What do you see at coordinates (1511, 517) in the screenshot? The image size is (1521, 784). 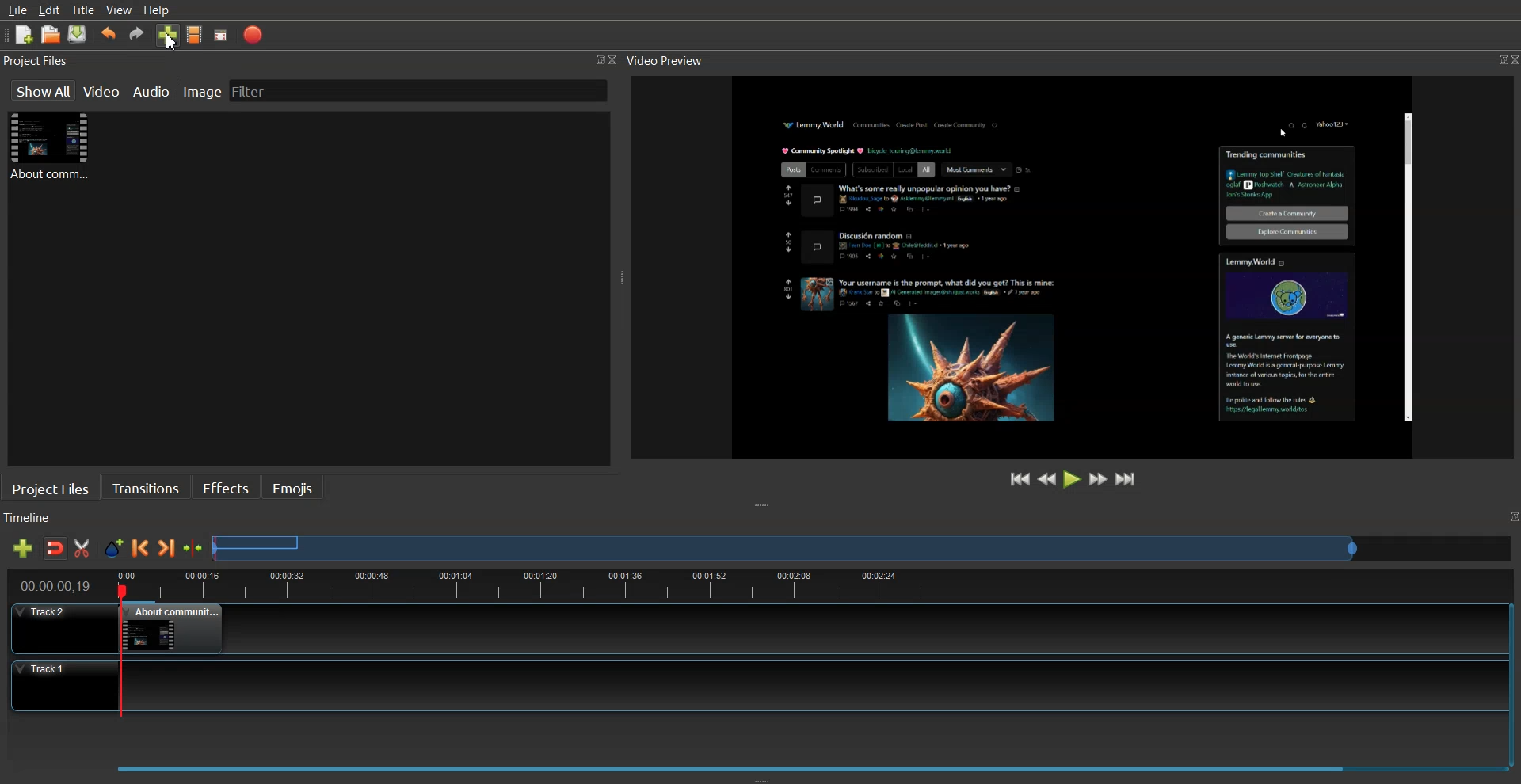 I see `Maximize` at bounding box center [1511, 517].